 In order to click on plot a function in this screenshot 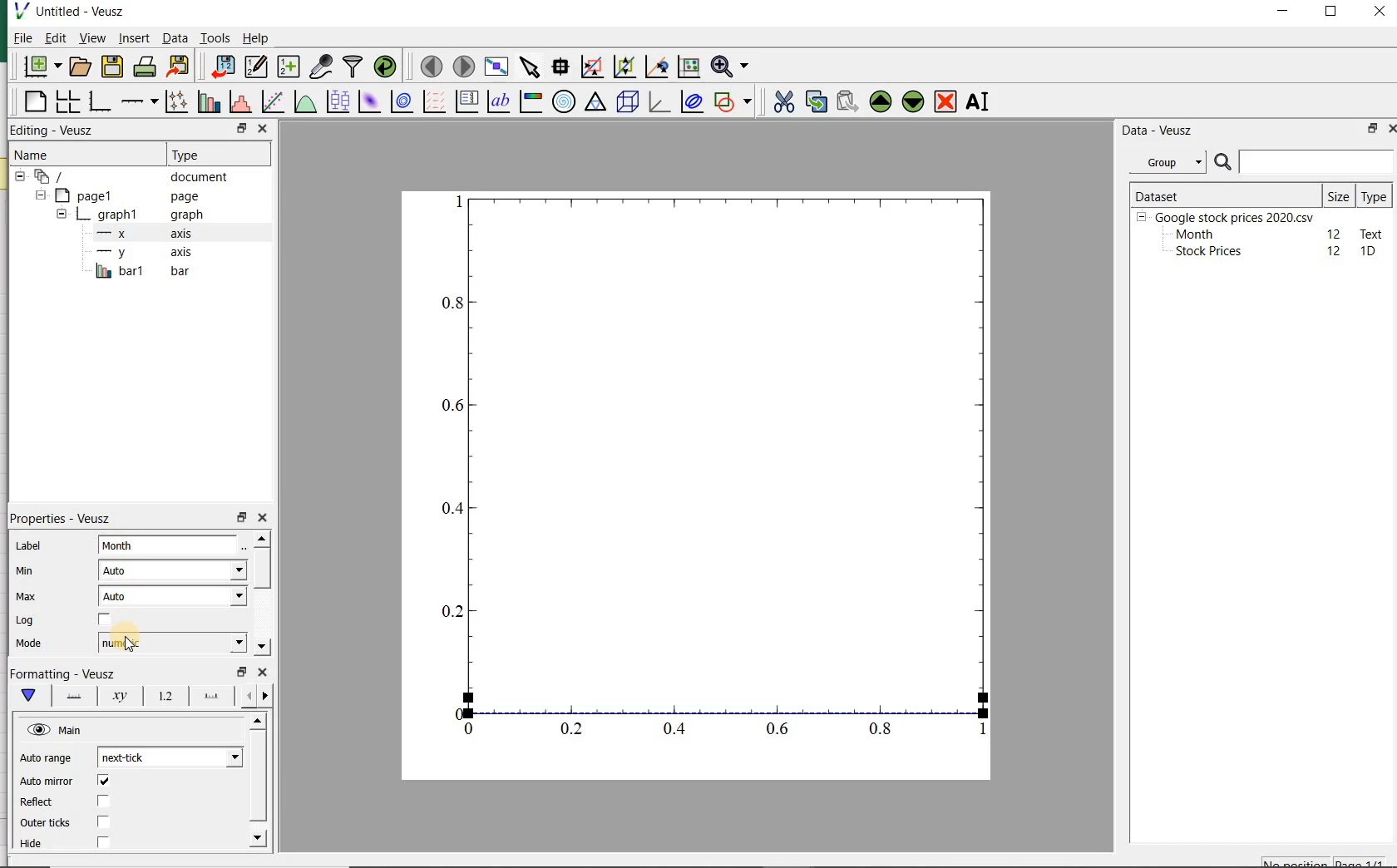, I will do `click(304, 103)`.